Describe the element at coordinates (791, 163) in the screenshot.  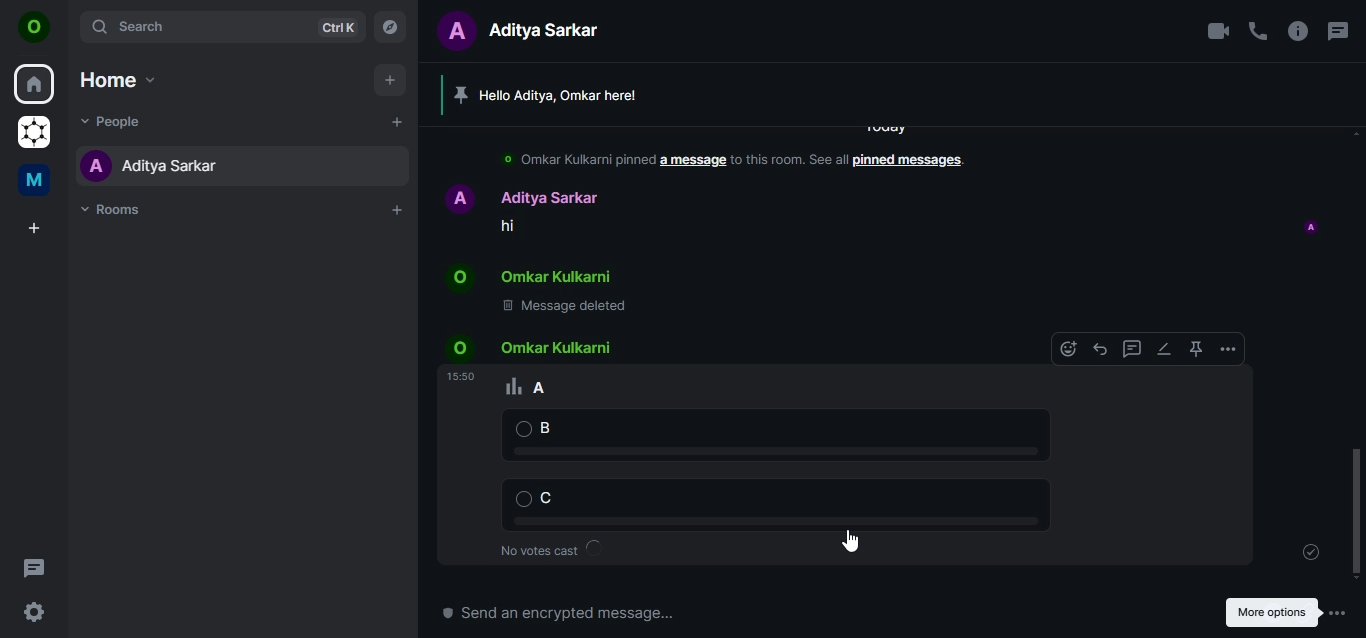
I see `to this room.see all` at that location.